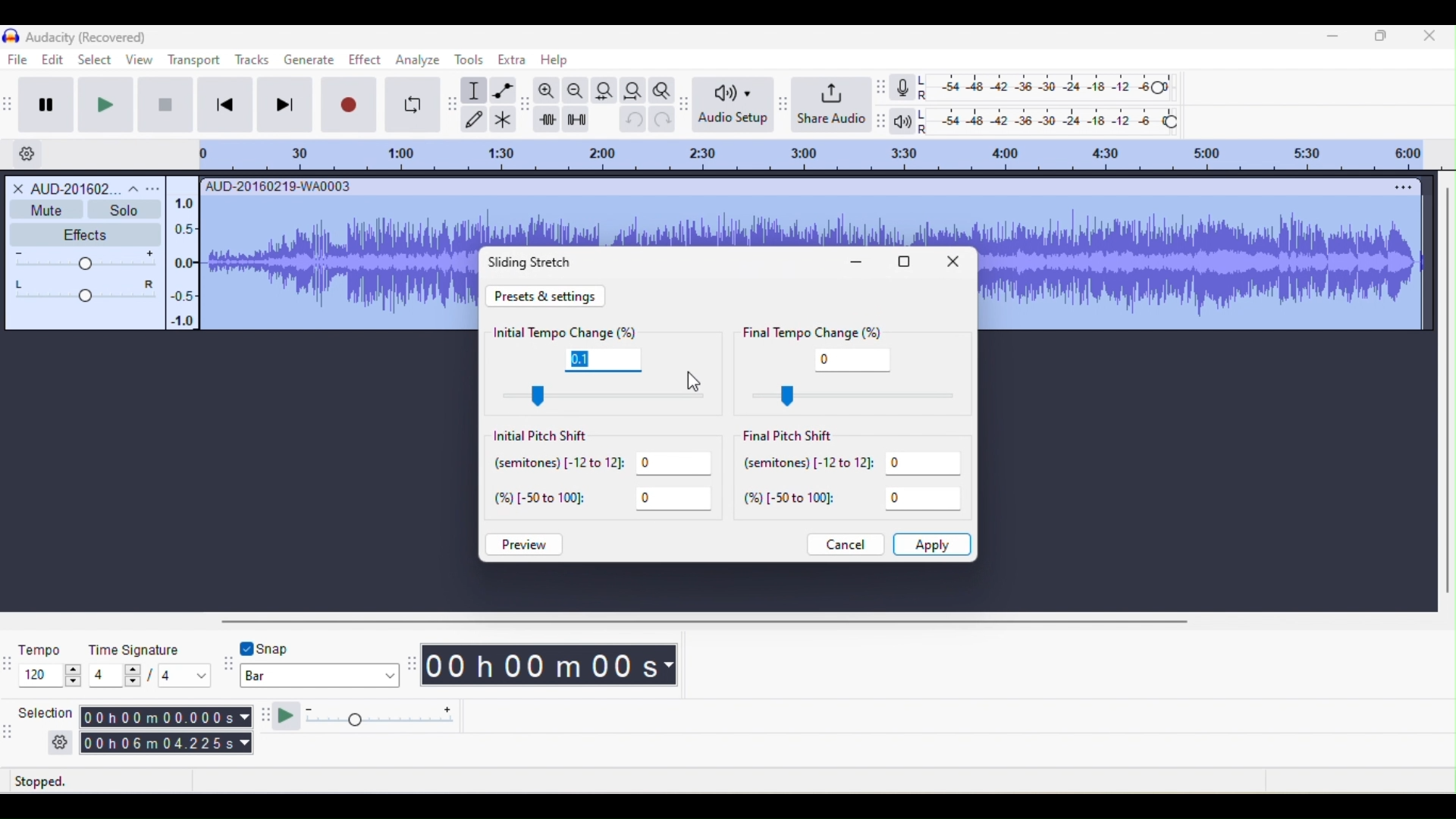 Image resolution: width=1456 pixels, height=819 pixels. I want to click on stopped, so click(61, 782).